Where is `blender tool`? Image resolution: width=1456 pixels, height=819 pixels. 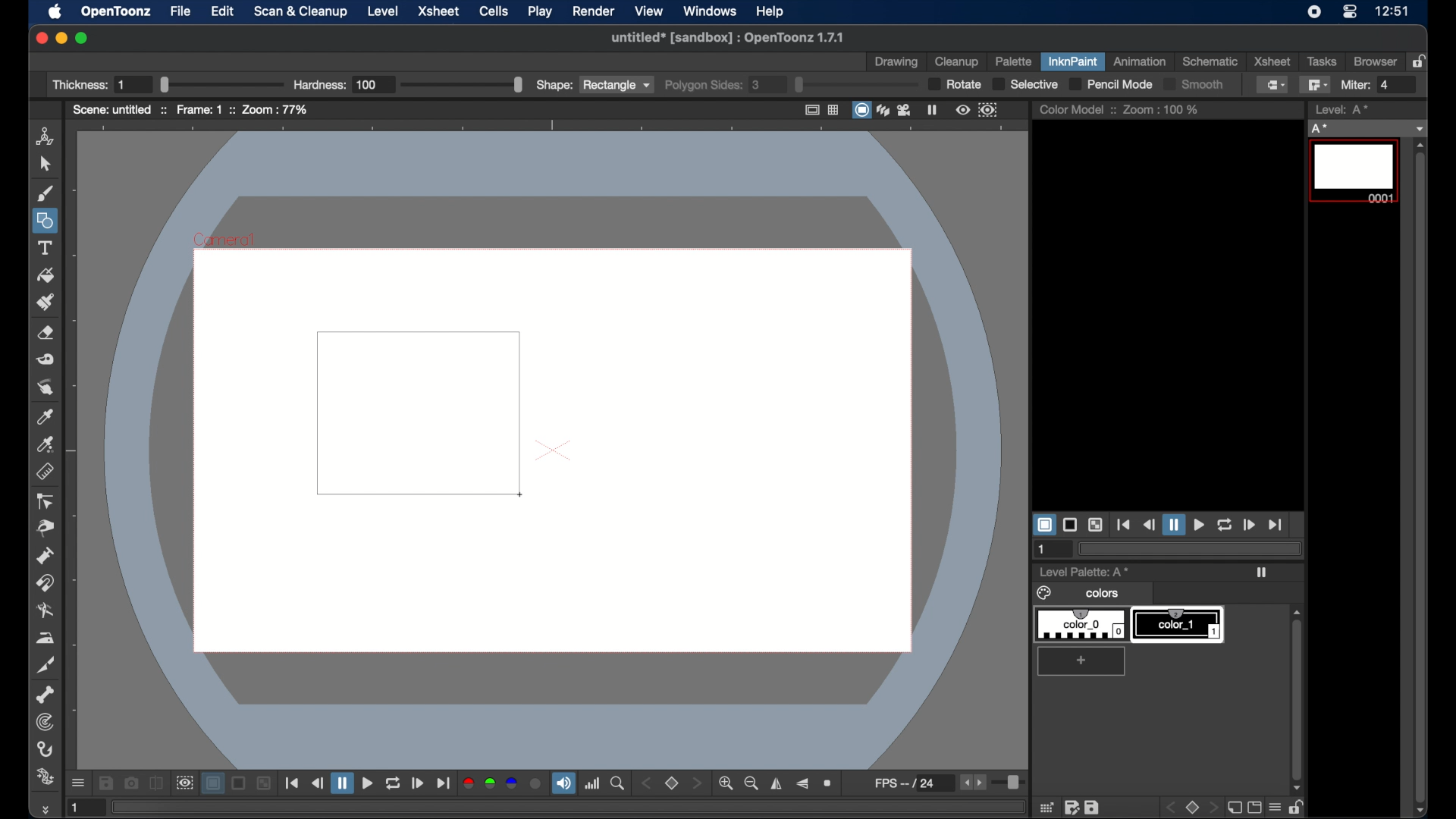
blender tool is located at coordinates (45, 612).